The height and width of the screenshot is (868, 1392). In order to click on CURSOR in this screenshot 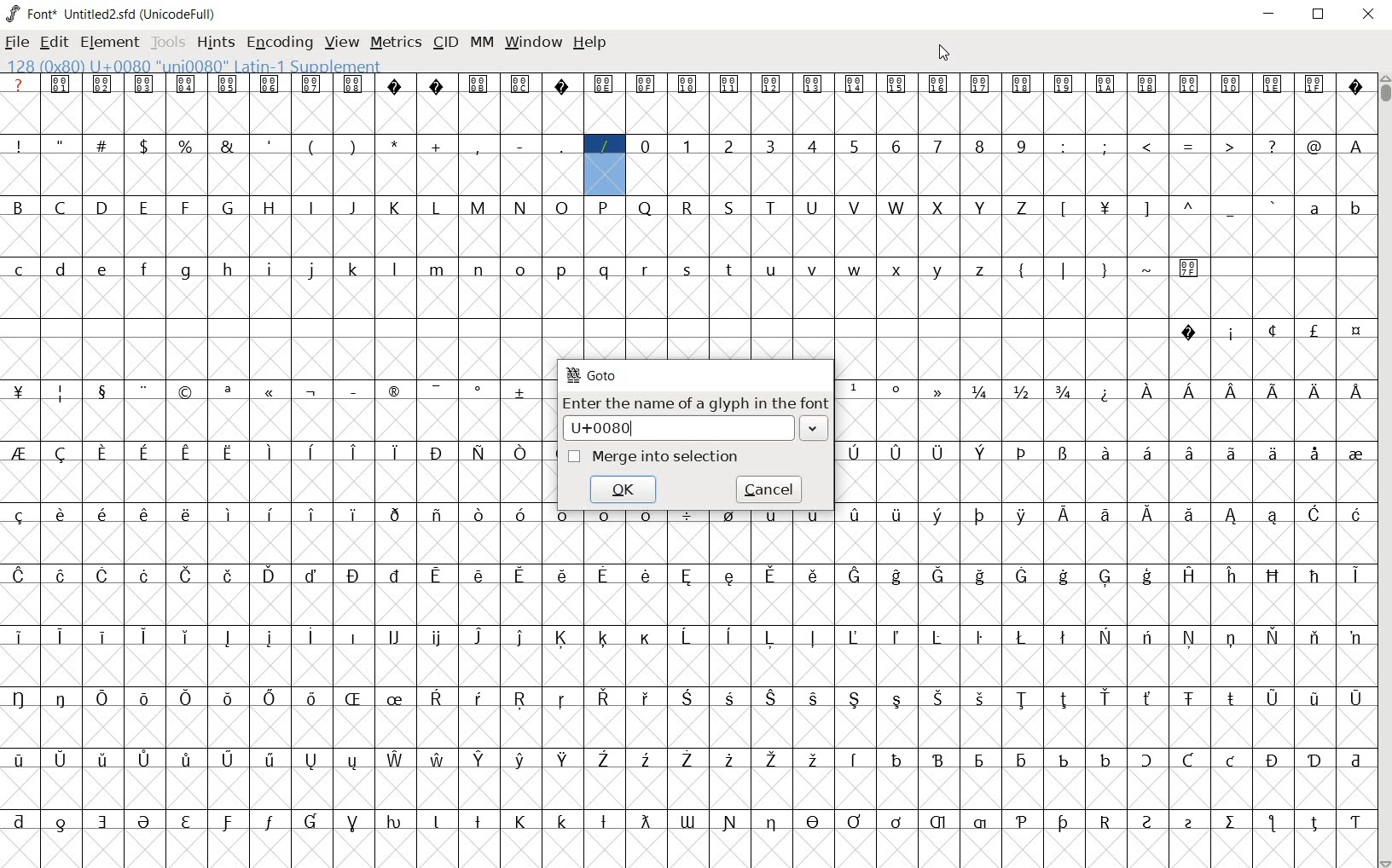, I will do `click(945, 52)`.